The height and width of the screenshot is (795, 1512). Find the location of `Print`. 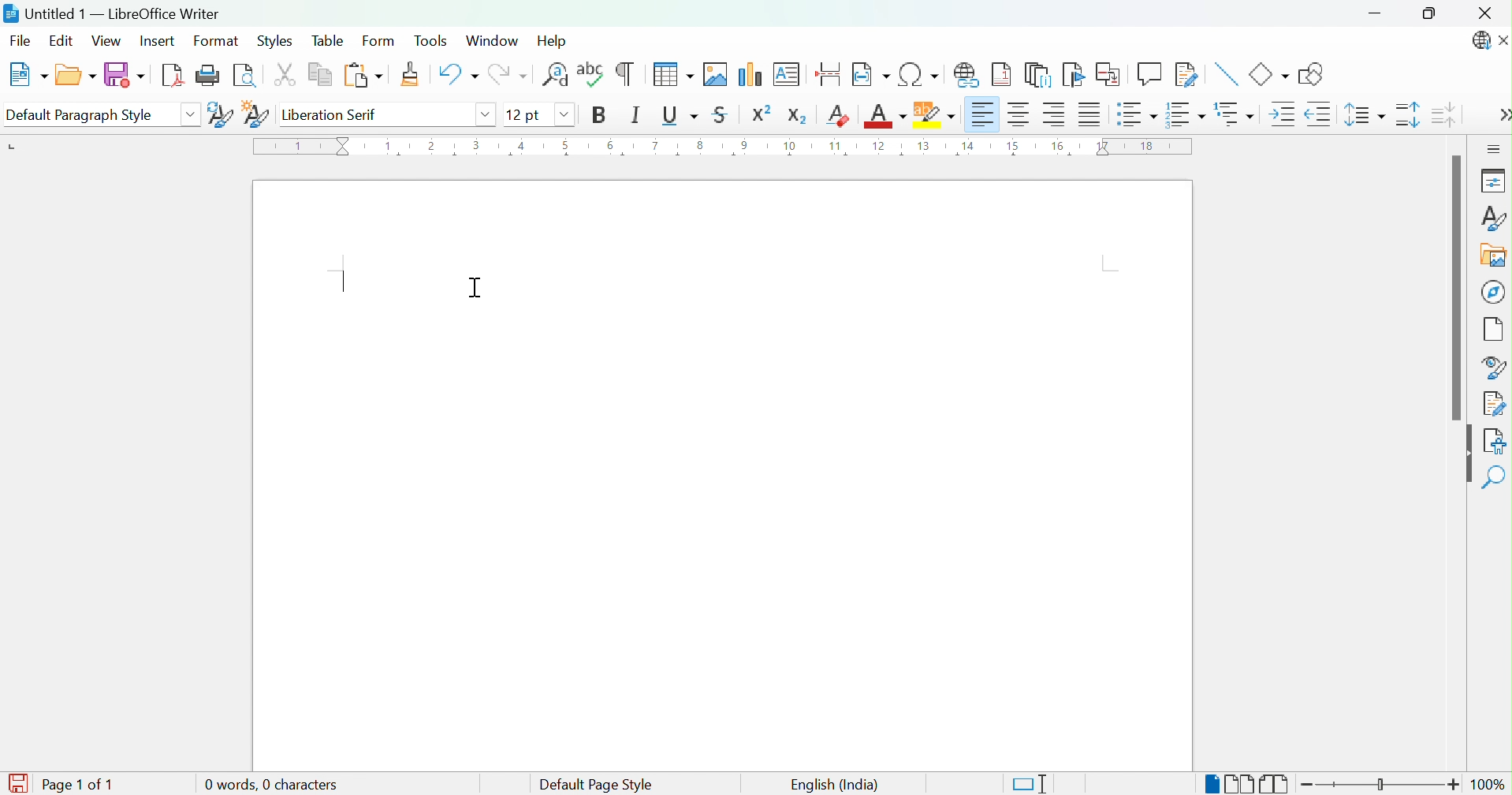

Print is located at coordinates (209, 75).